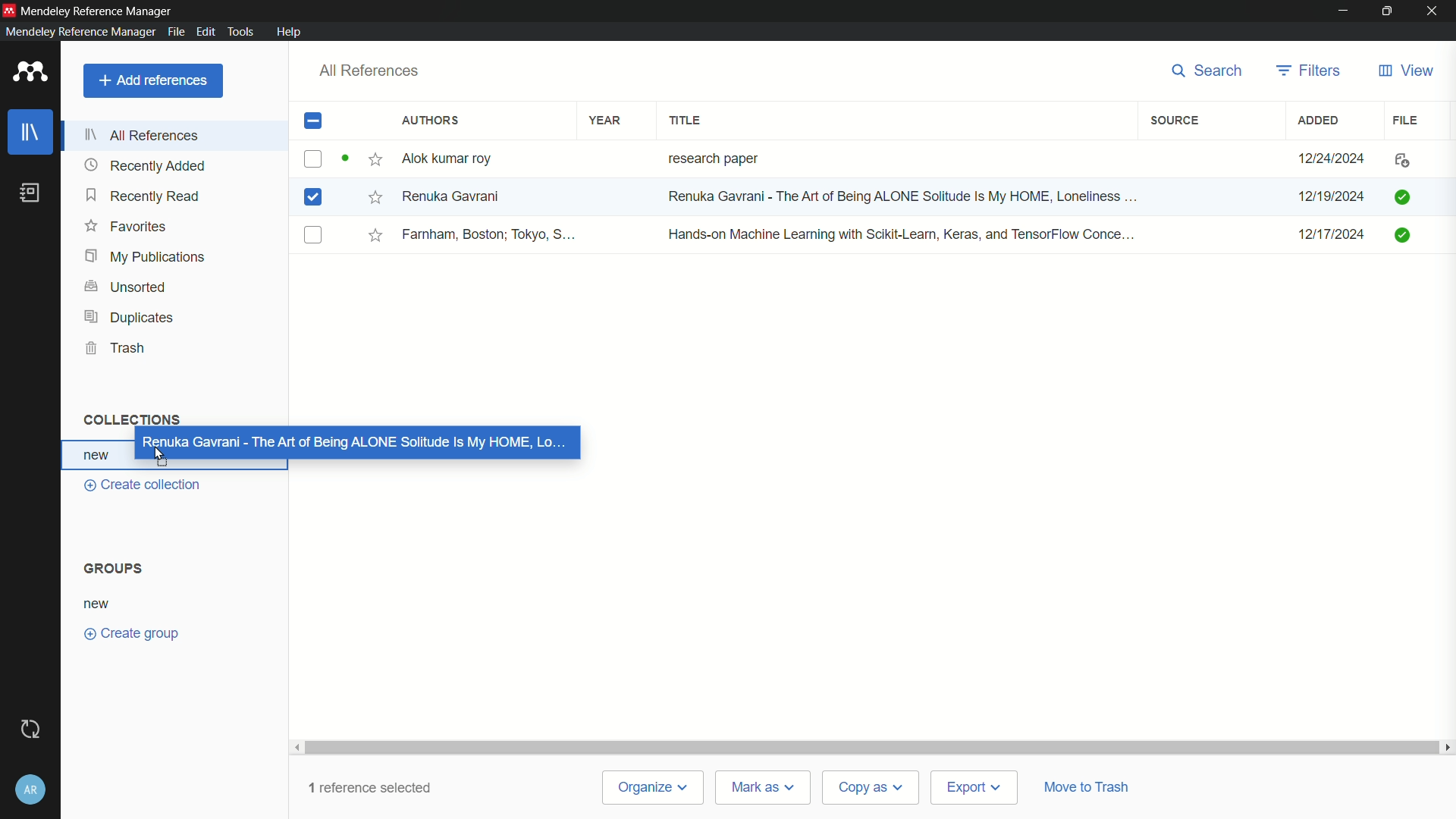 Image resolution: width=1456 pixels, height=819 pixels. I want to click on help menu, so click(290, 31).